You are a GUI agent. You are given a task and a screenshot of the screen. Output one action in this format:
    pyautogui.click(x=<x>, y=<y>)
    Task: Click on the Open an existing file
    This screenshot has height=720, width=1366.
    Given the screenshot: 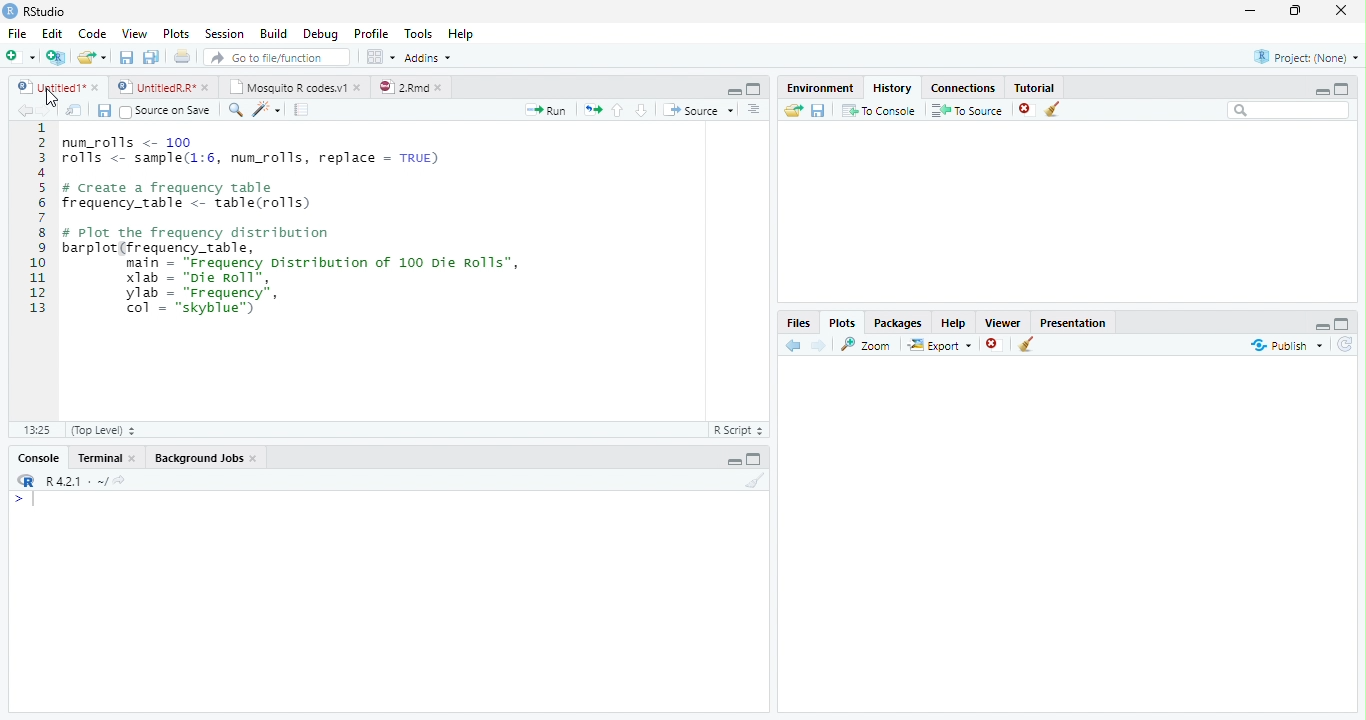 What is the action you would take?
    pyautogui.click(x=92, y=57)
    